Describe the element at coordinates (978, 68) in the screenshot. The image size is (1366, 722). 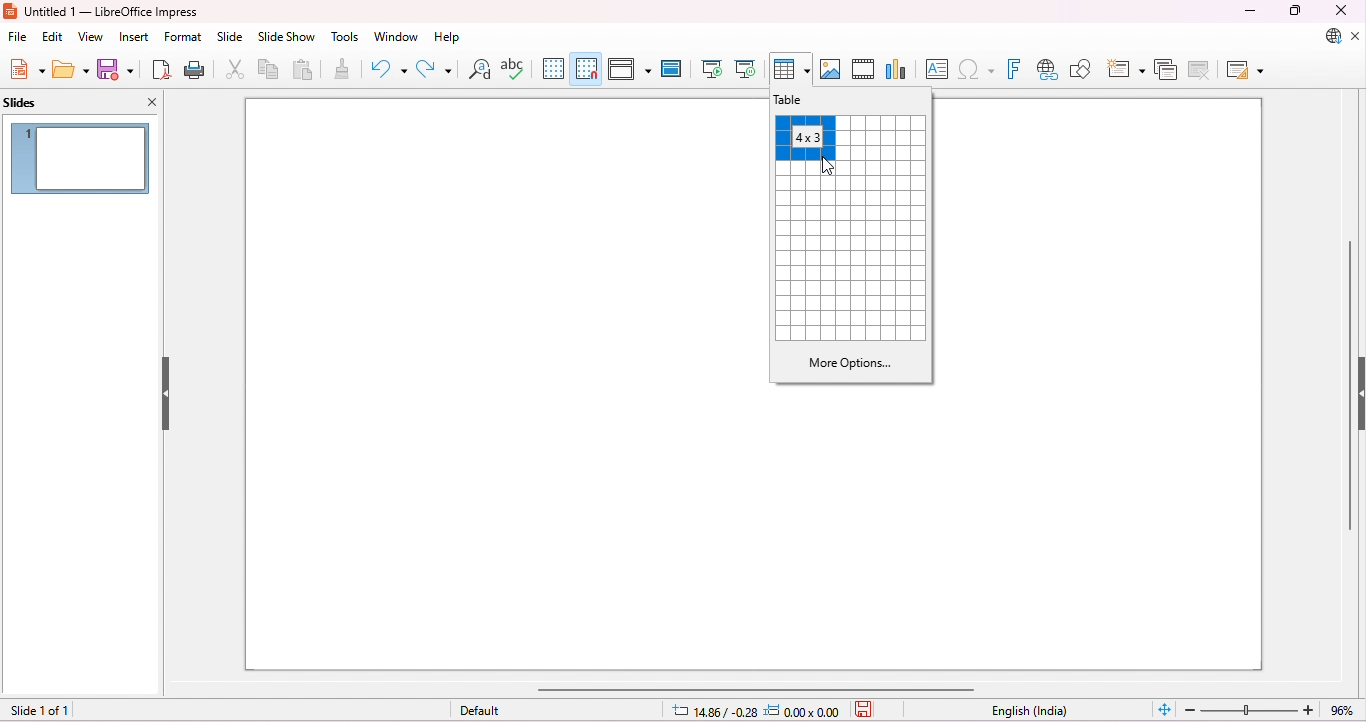
I see `insert special characters` at that location.